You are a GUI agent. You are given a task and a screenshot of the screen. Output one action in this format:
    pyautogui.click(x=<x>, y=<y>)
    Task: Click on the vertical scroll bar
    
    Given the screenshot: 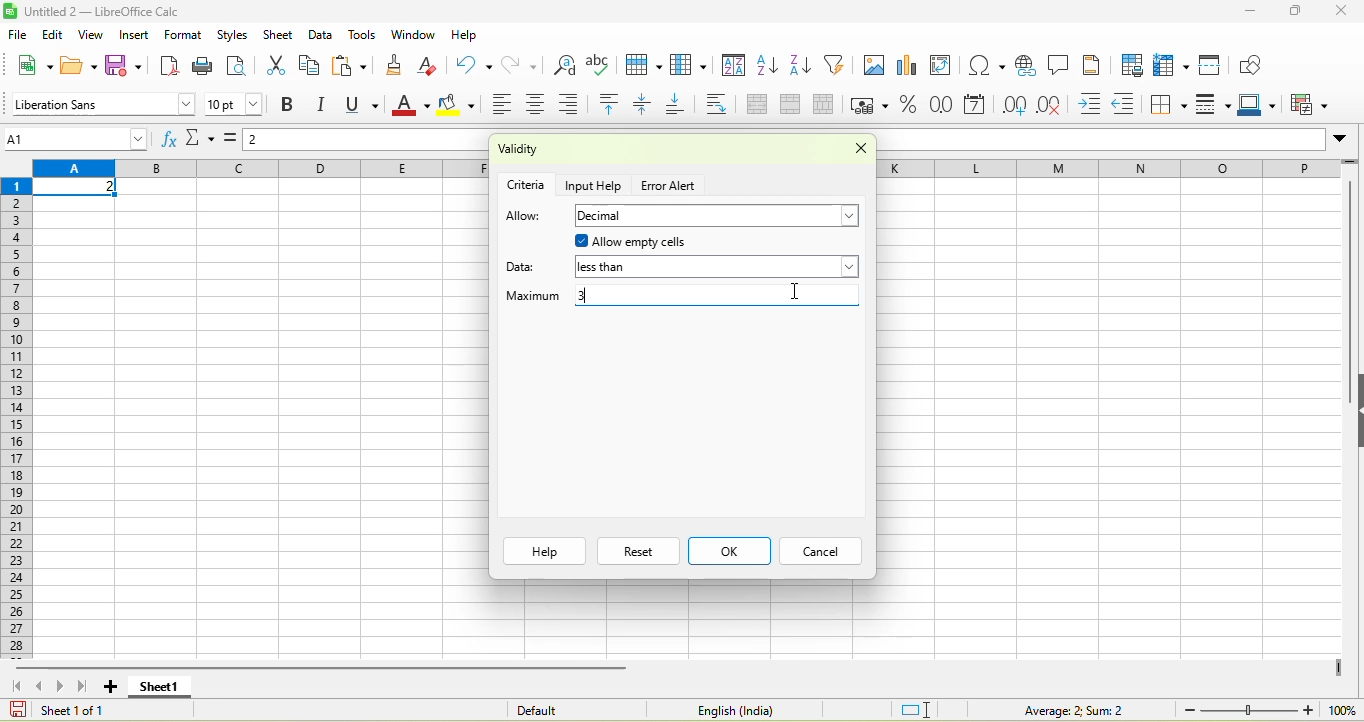 What is the action you would take?
    pyautogui.click(x=1347, y=300)
    